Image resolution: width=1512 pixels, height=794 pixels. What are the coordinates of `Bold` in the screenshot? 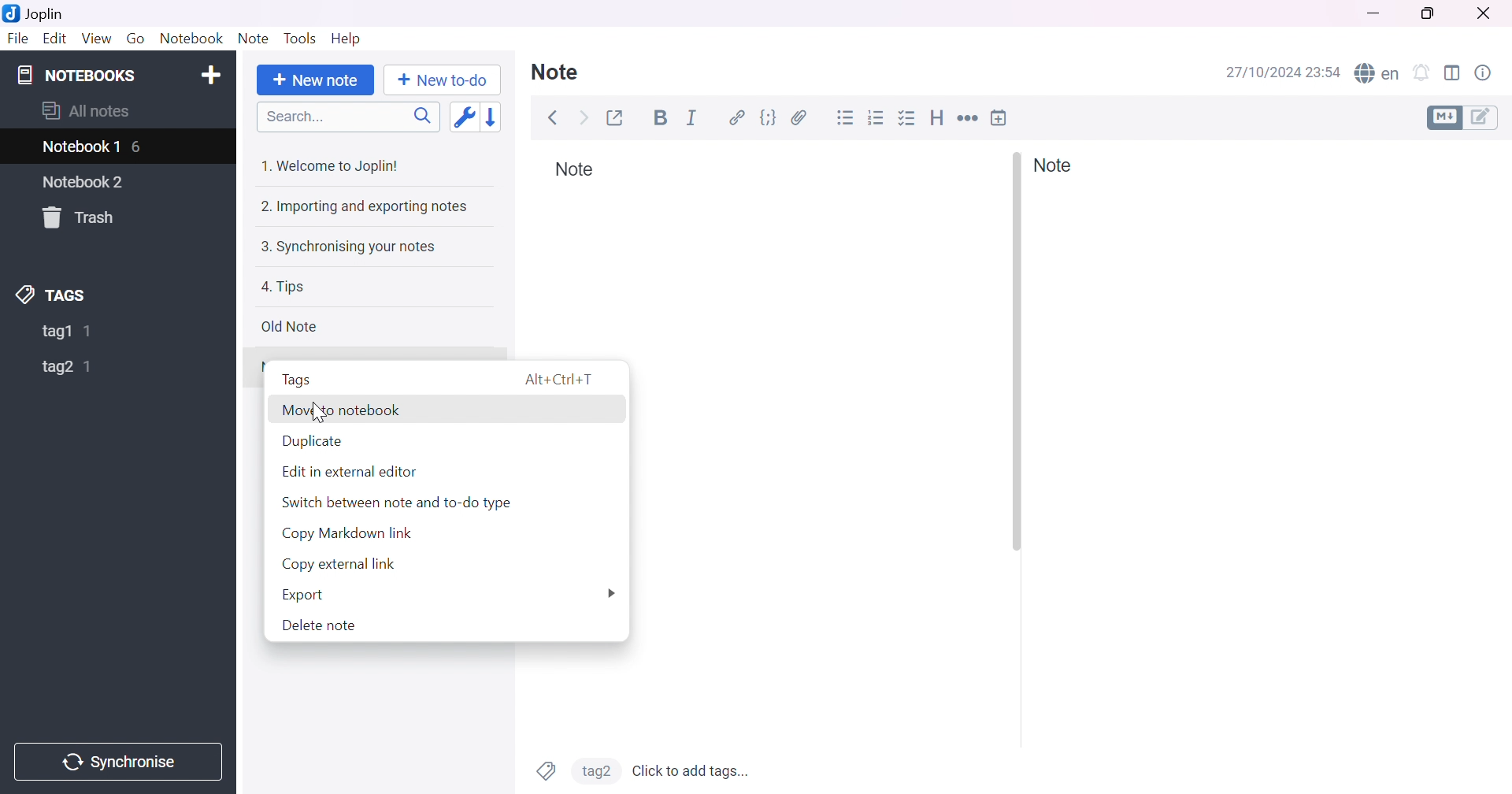 It's located at (659, 118).